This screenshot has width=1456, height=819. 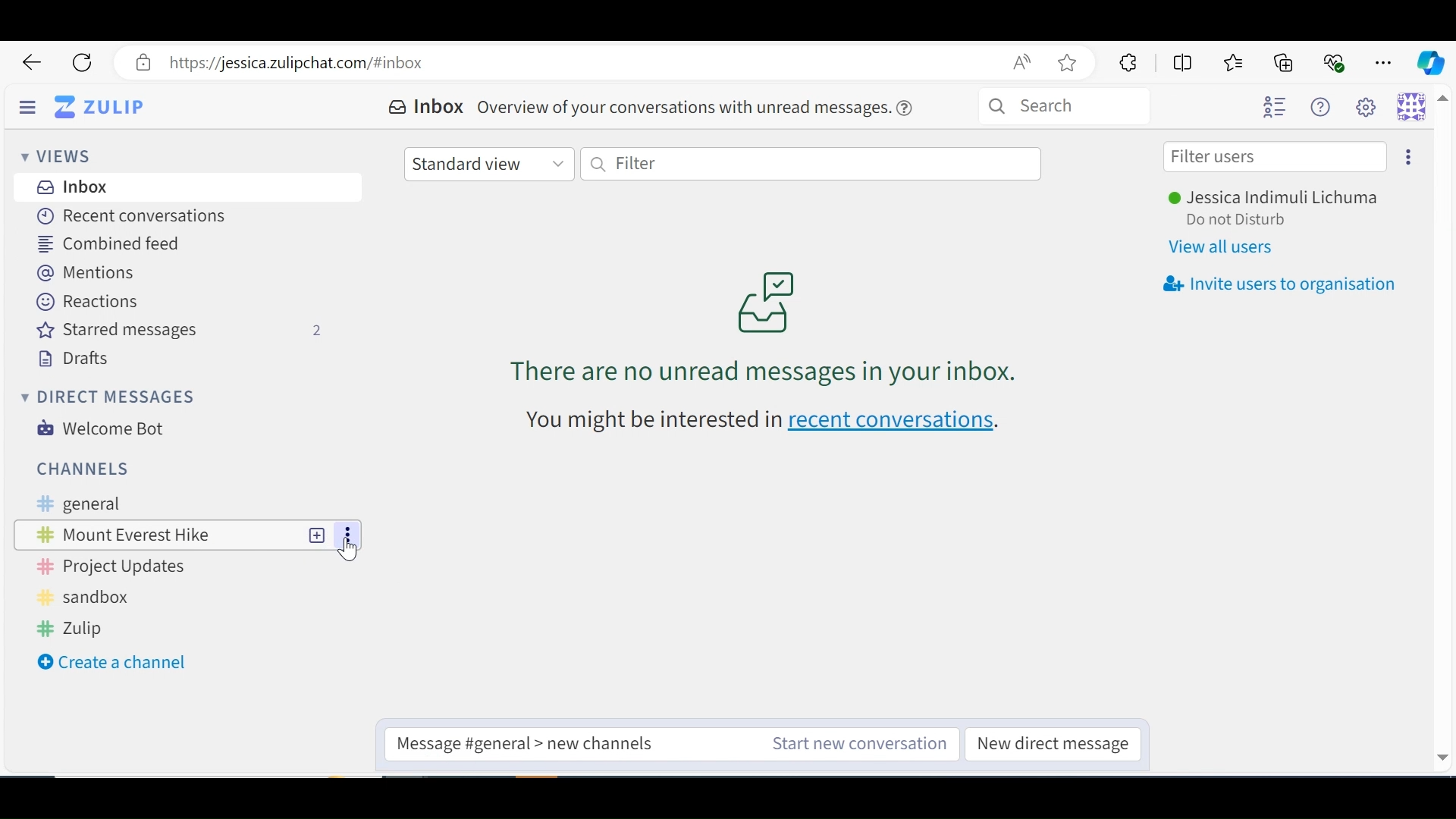 I want to click on Down, so click(x=1442, y=755).